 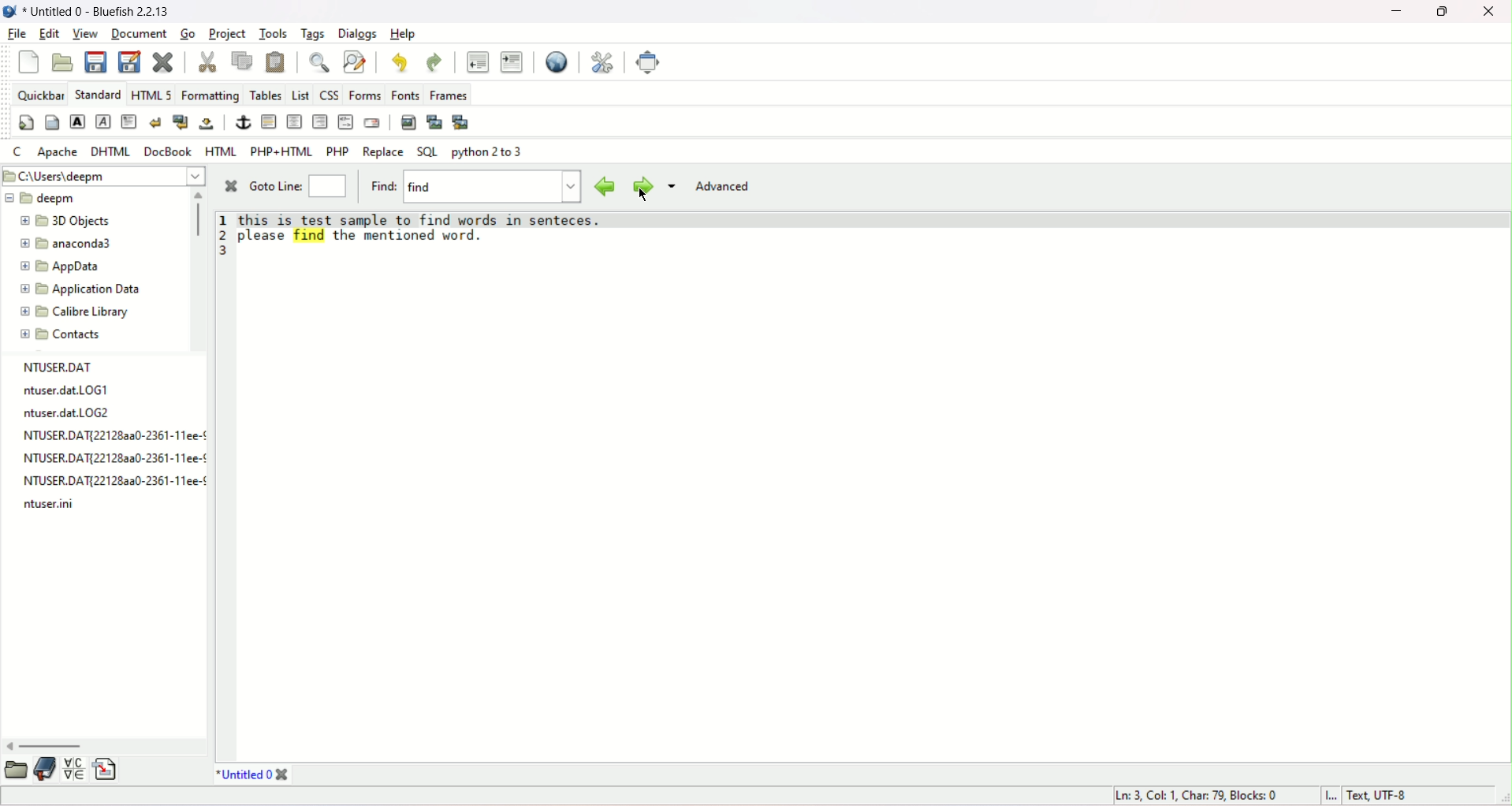 What do you see at coordinates (405, 95) in the screenshot?
I see `fonts` at bounding box center [405, 95].